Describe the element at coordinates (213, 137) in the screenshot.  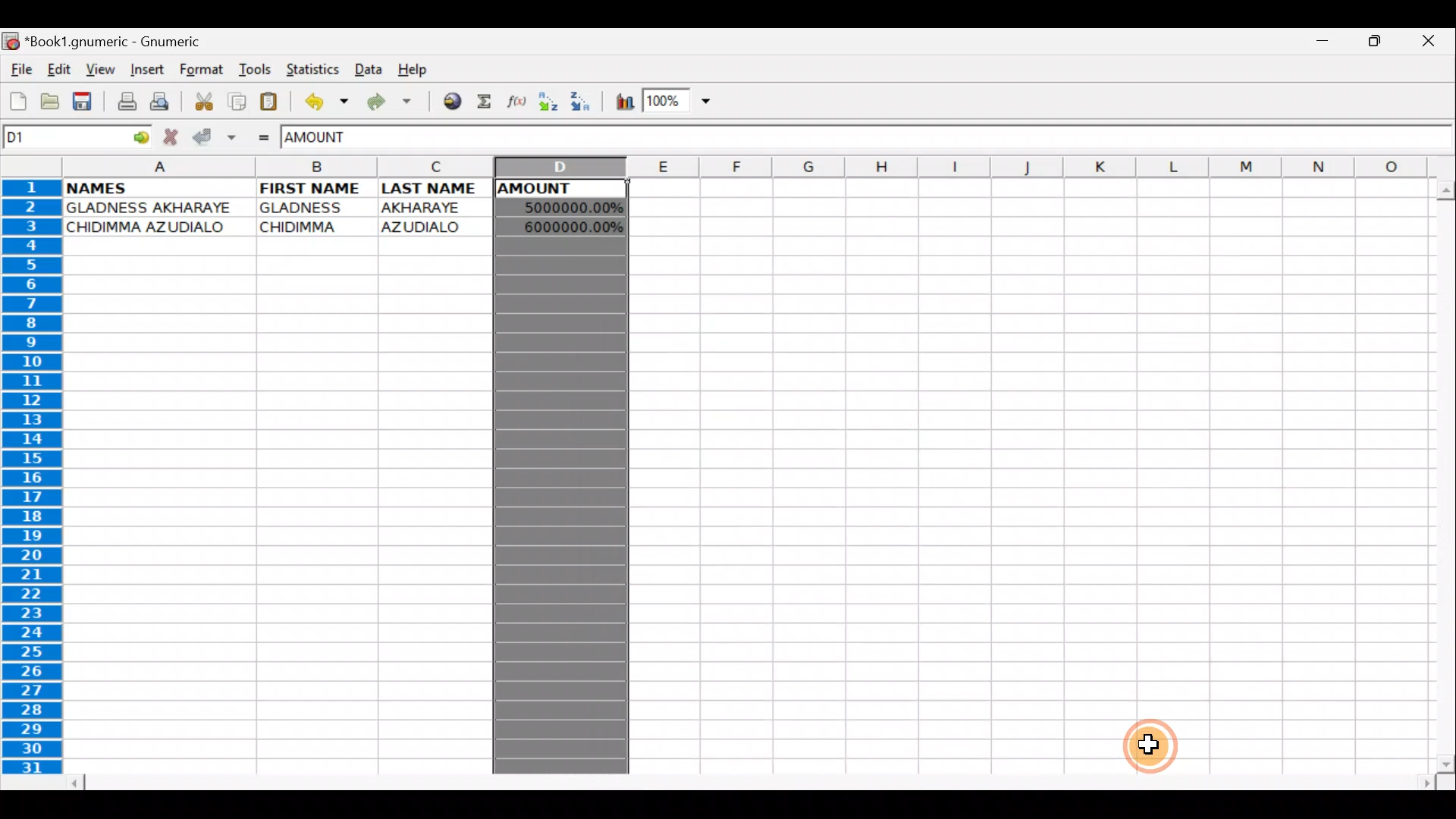
I see `Accept change` at that location.